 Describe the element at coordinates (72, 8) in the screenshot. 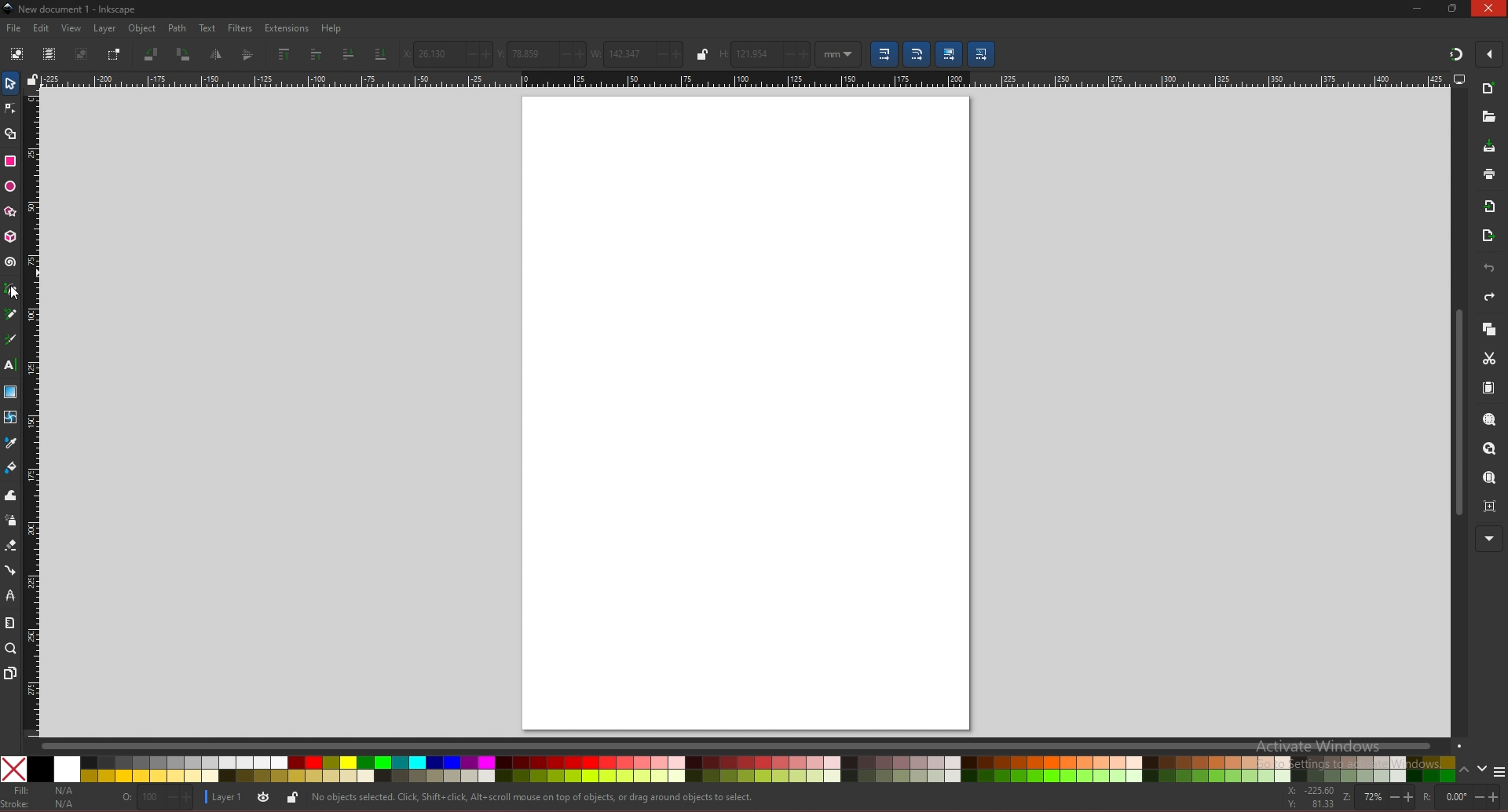

I see `title` at that location.